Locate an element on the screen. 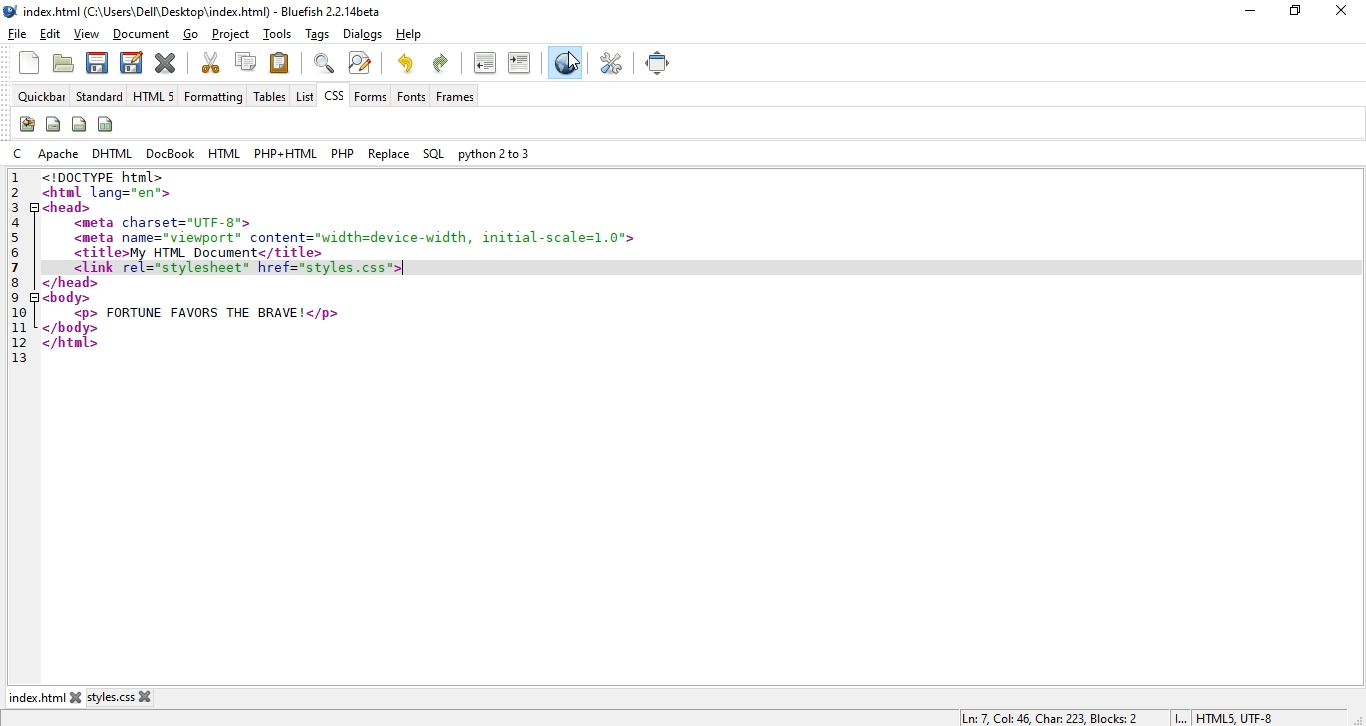  standard is located at coordinates (100, 97).